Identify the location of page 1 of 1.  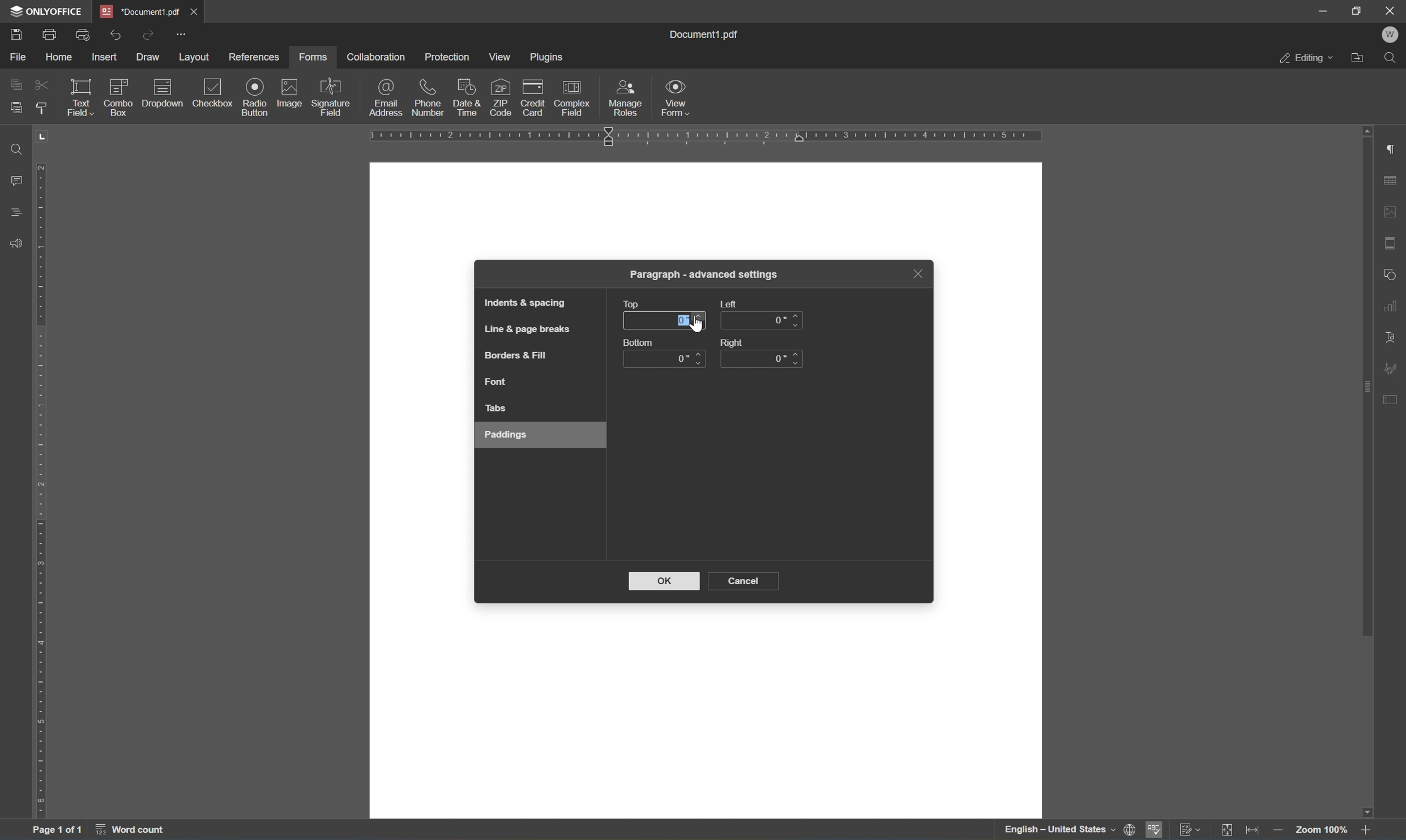
(57, 832).